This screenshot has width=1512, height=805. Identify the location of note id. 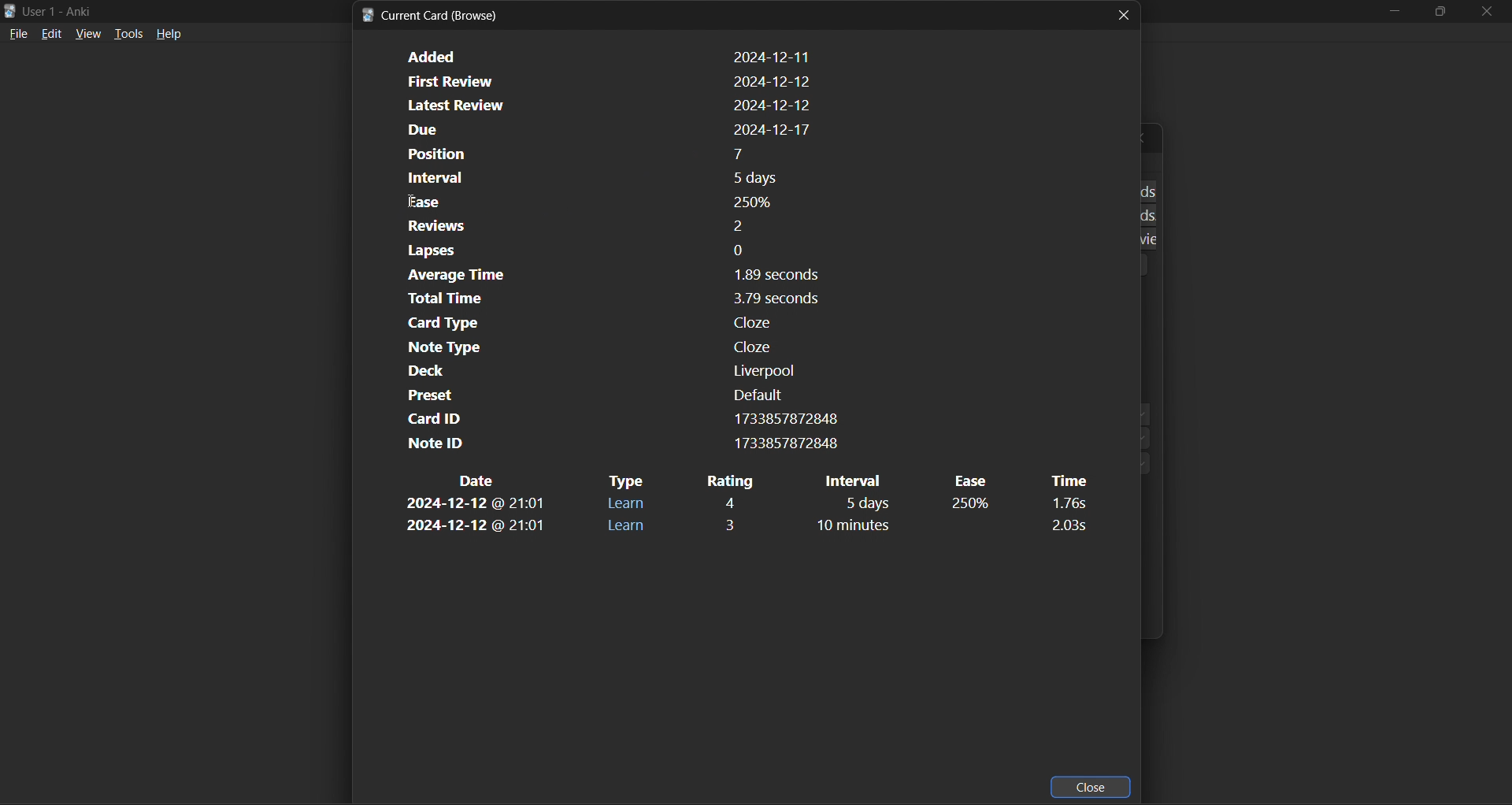
(617, 443).